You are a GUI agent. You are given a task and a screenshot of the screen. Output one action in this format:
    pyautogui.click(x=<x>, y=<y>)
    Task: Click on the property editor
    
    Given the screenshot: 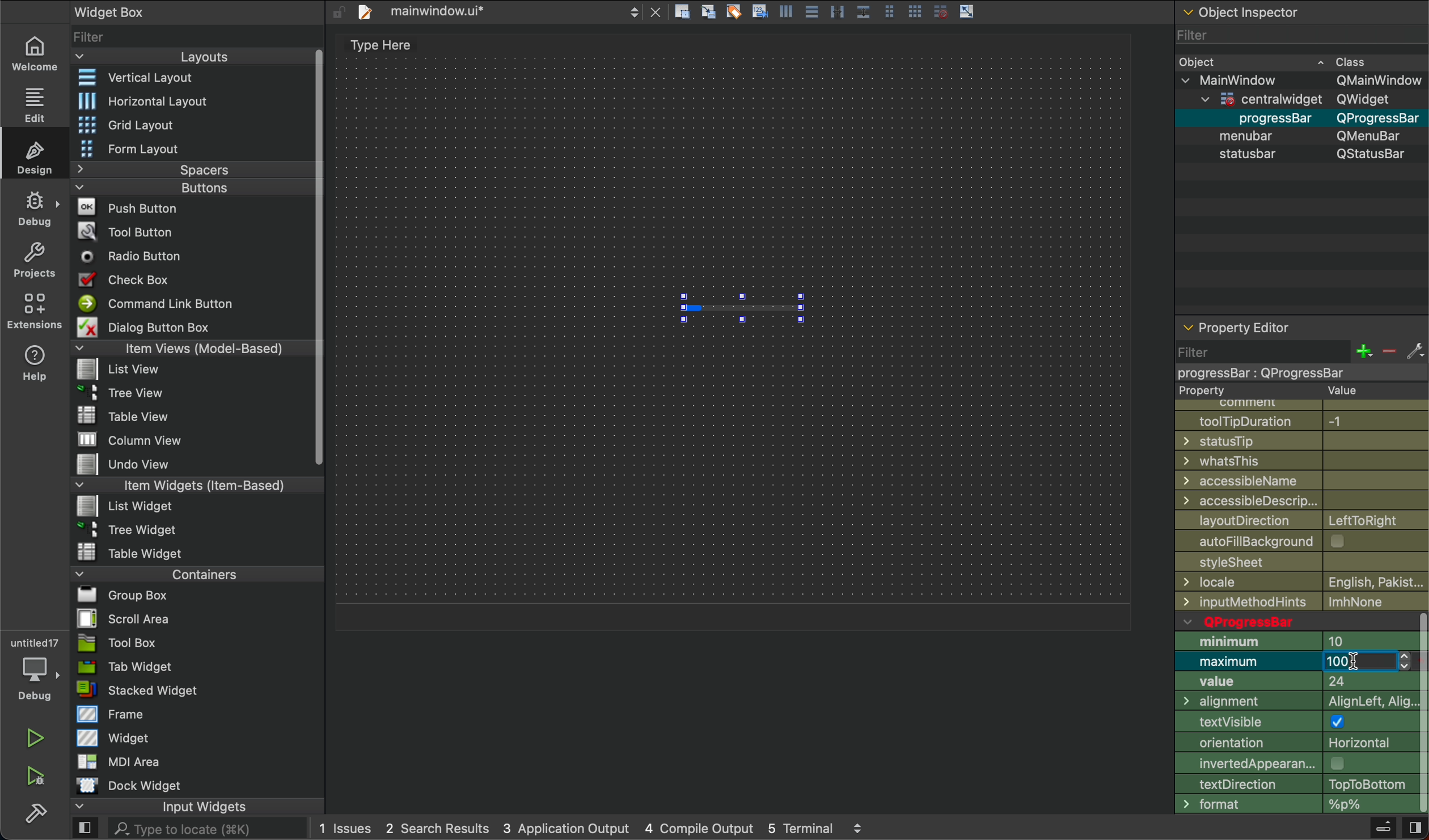 What is the action you would take?
    pyautogui.click(x=1240, y=323)
    